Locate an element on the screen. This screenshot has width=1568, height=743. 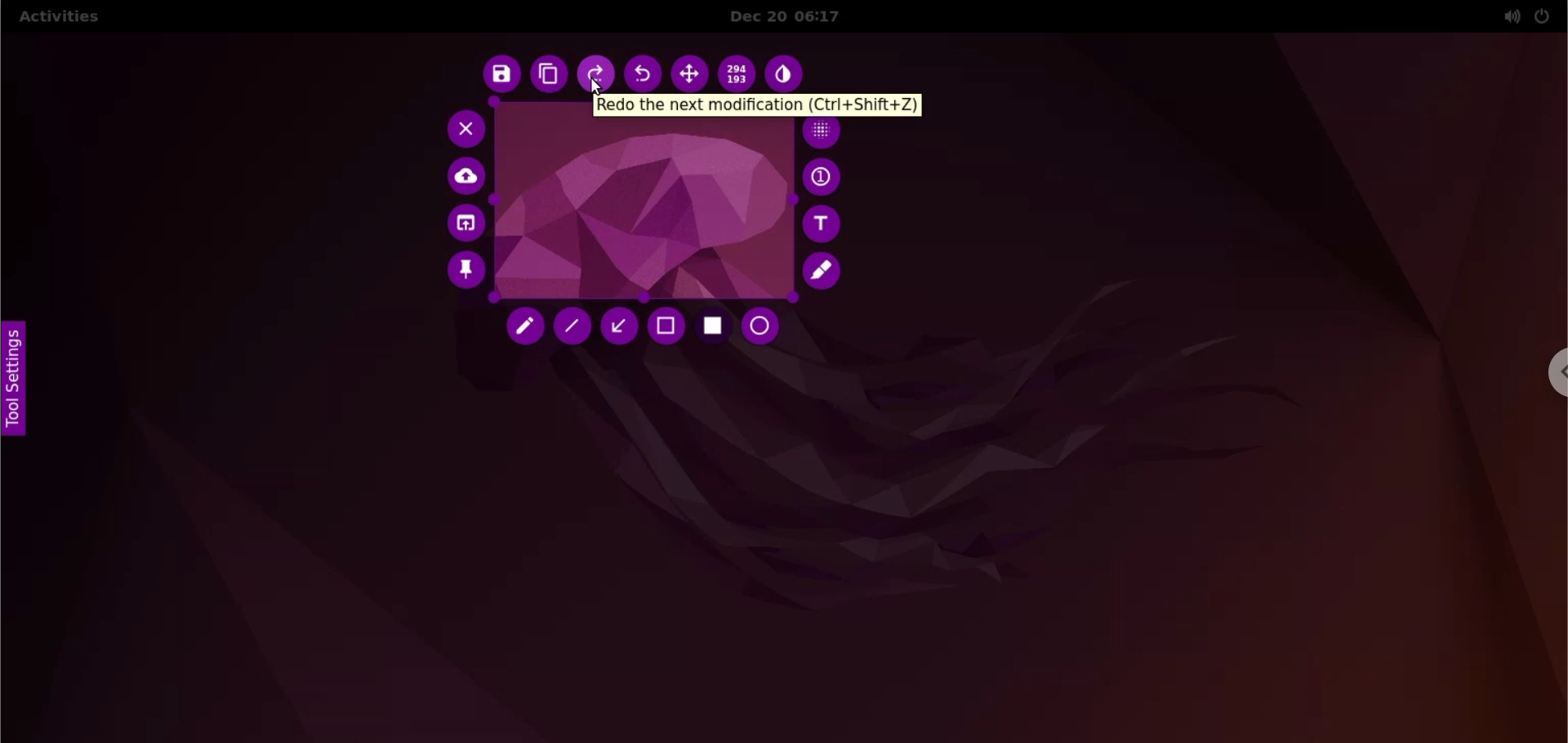
chrome options is located at coordinates (1554, 372).